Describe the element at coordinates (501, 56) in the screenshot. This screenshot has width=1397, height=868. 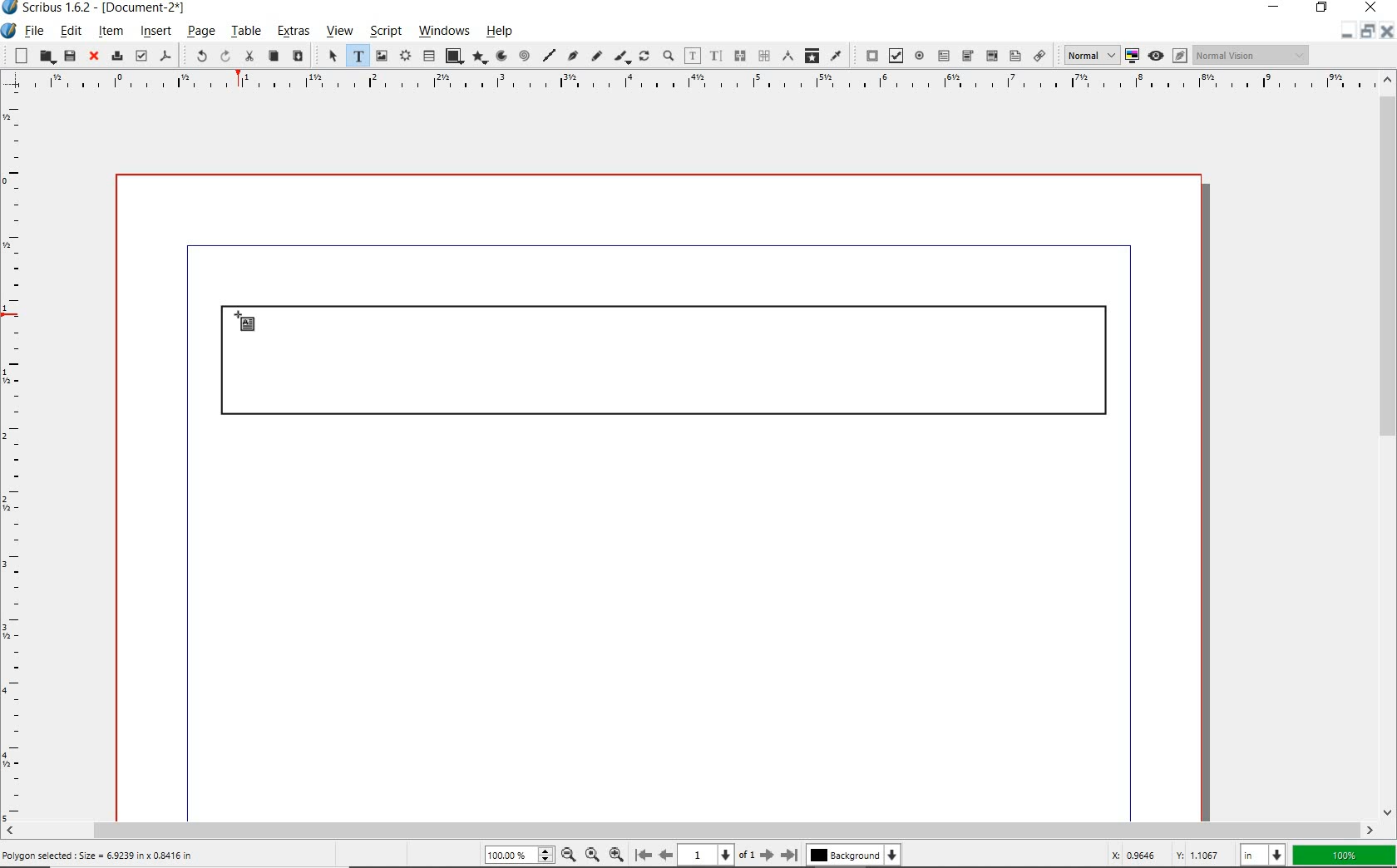
I see `arc` at that location.